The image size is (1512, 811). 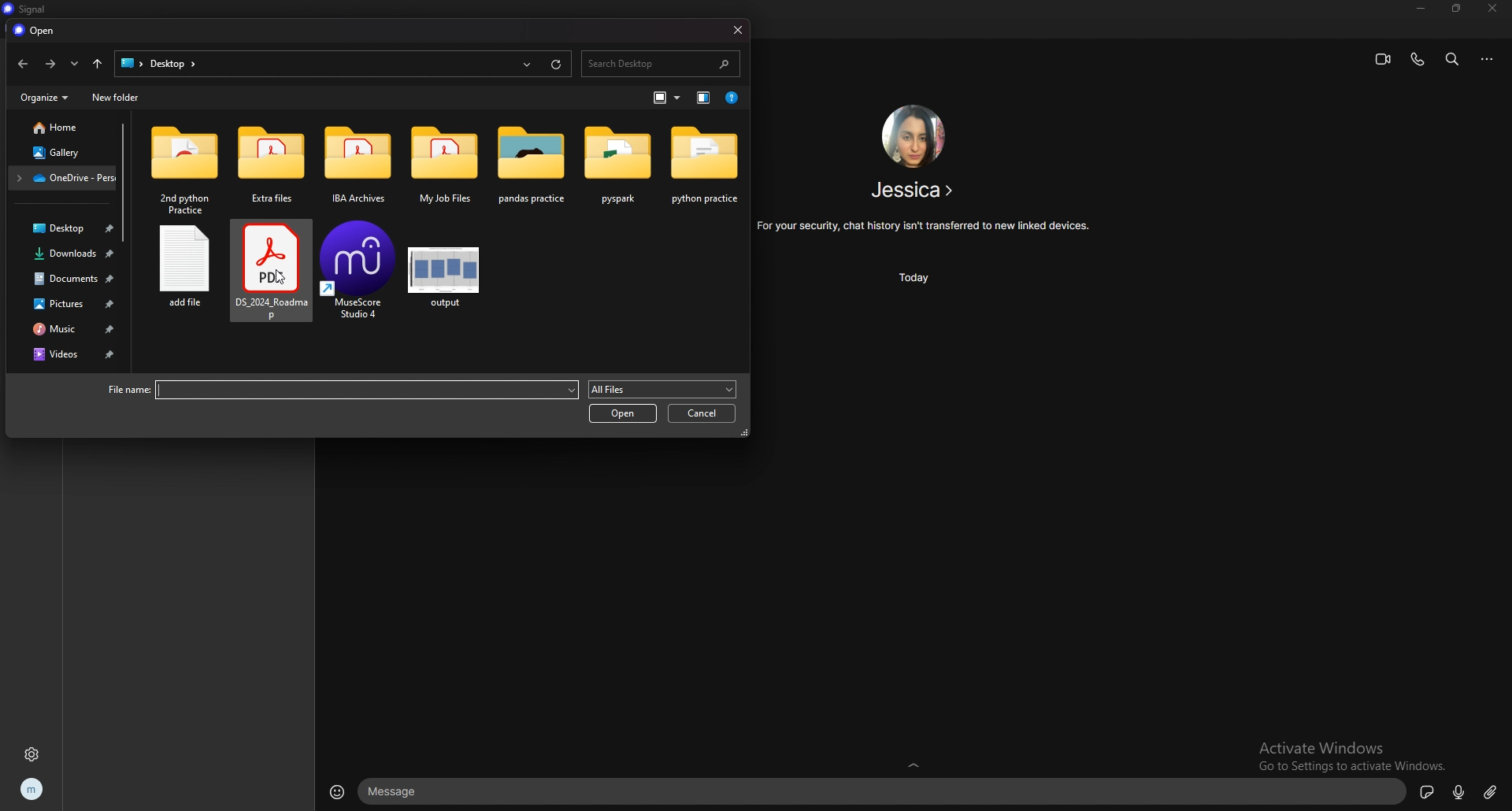 What do you see at coordinates (37, 31) in the screenshot?
I see `open` at bounding box center [37, 31].